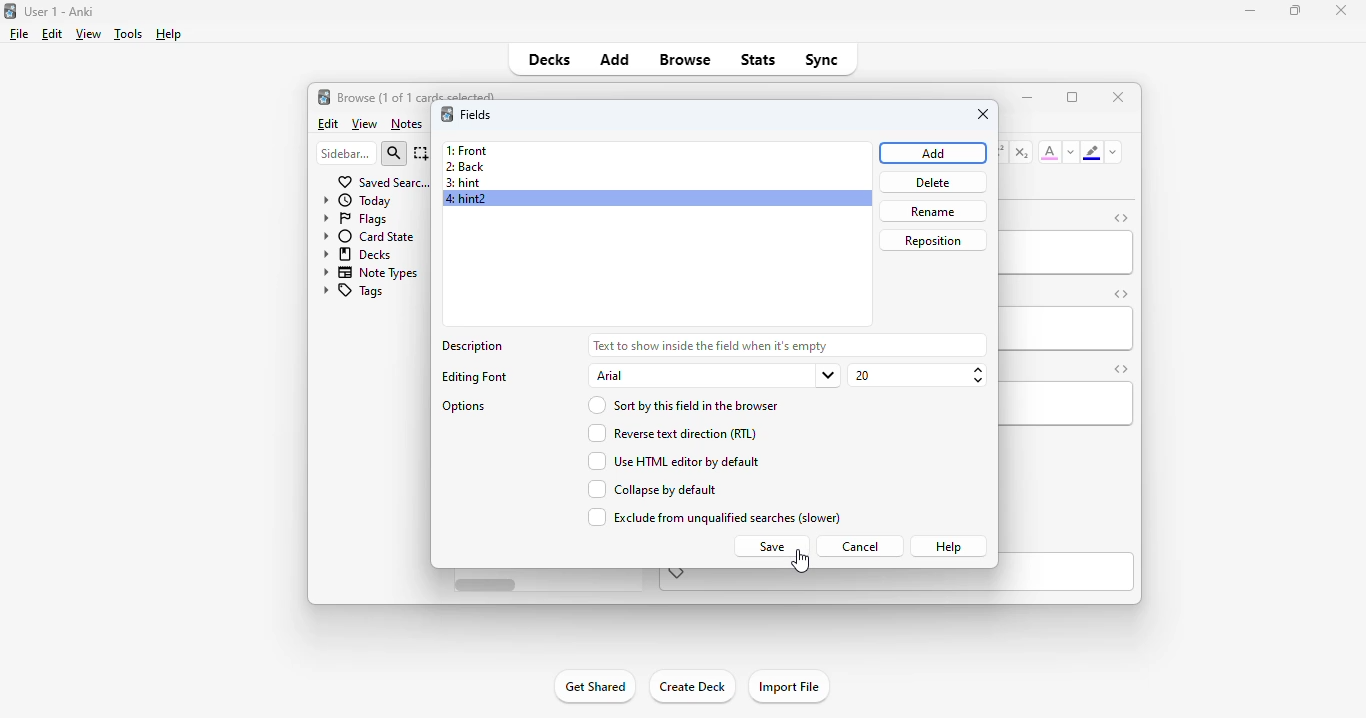 The height and width of the screenshot is (718, 1366). What do you see at coordinates (368, 236) in the screenshot?
I see `card state` at bounding box center [368, 236].